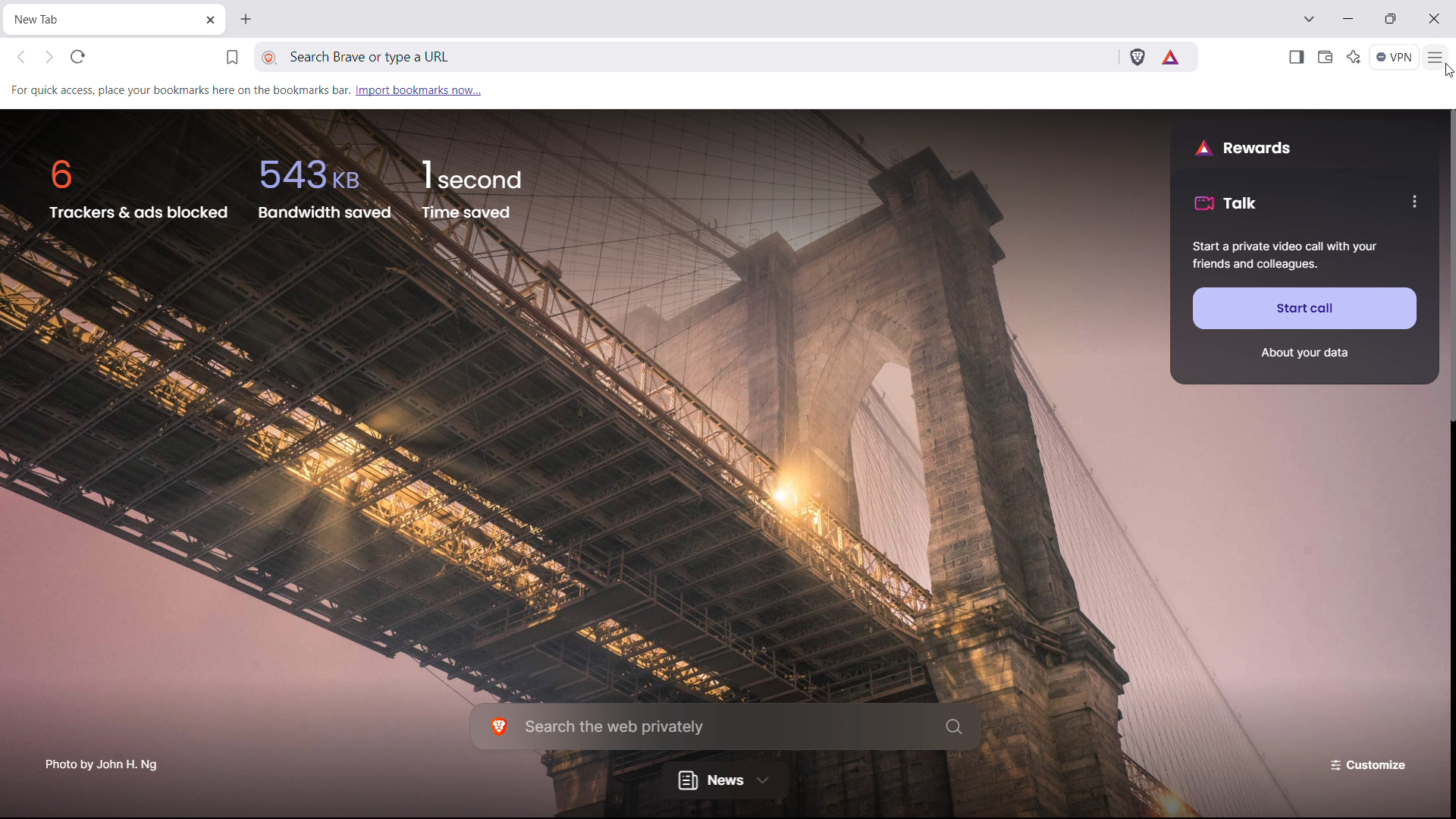 The height and width of the screenshot is (819, 1456). What do you see at coordinates (1348, 20) in the screenshot?
I see `minimize` at bounding box center [1348, 20].